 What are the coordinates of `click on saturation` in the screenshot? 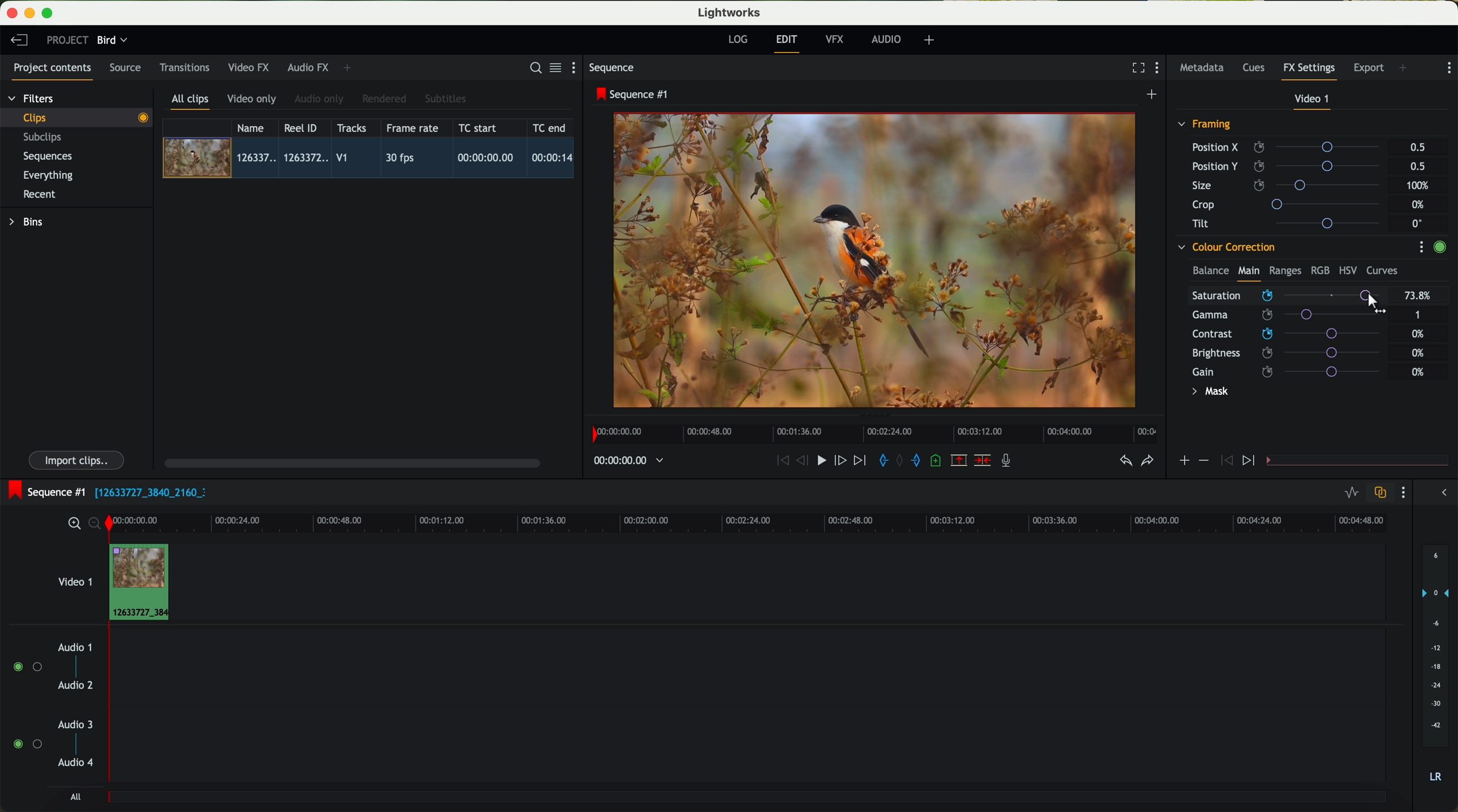 It's located at (1280, 316).